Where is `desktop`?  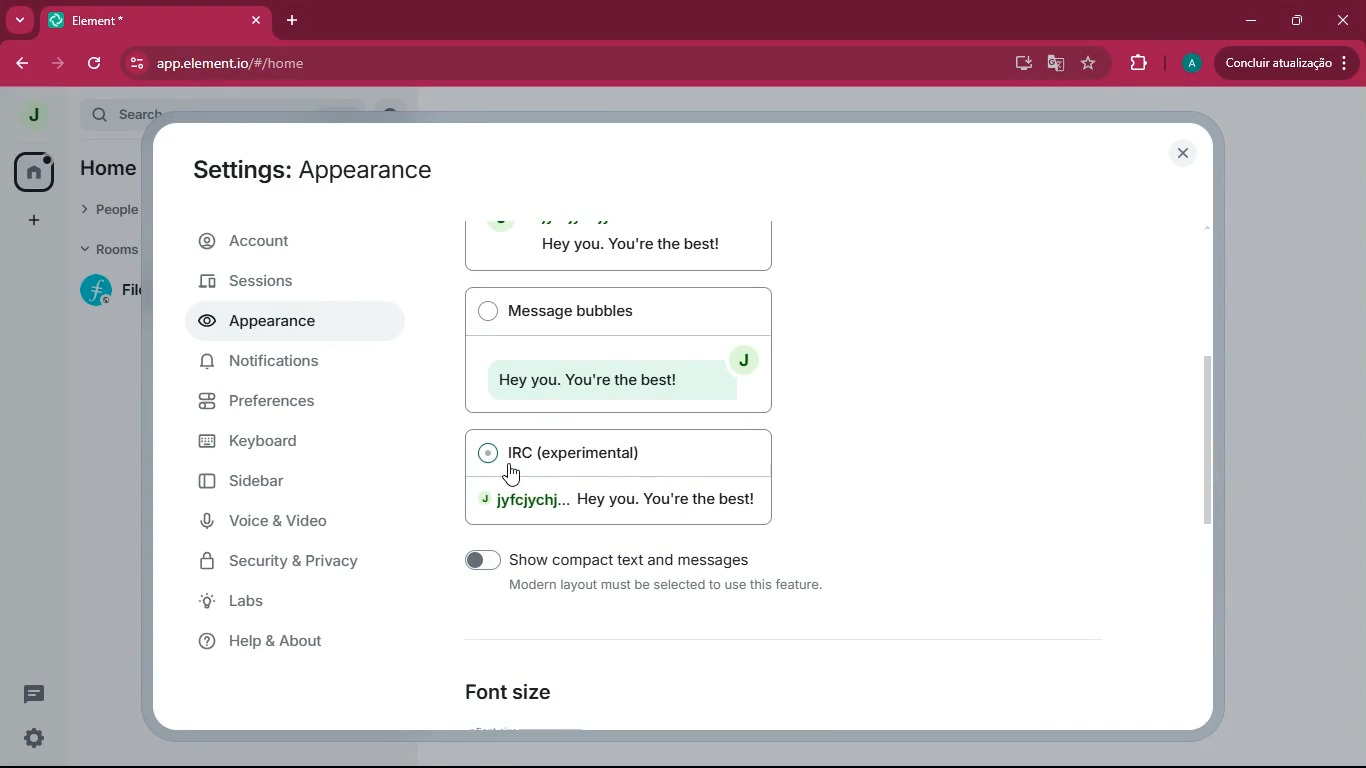 desktop is located at coordinates (1020, 64).